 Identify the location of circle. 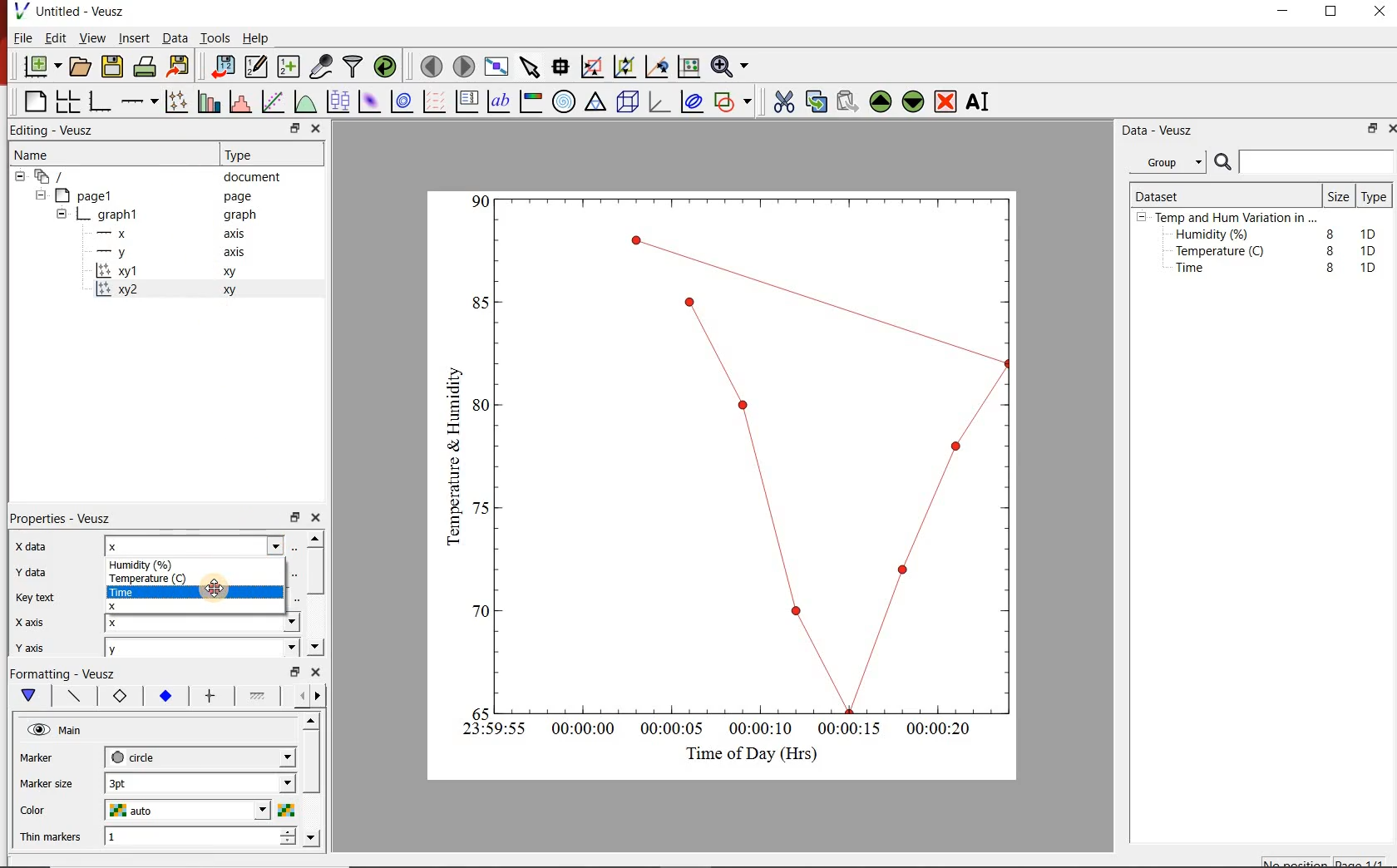
(136, 757).